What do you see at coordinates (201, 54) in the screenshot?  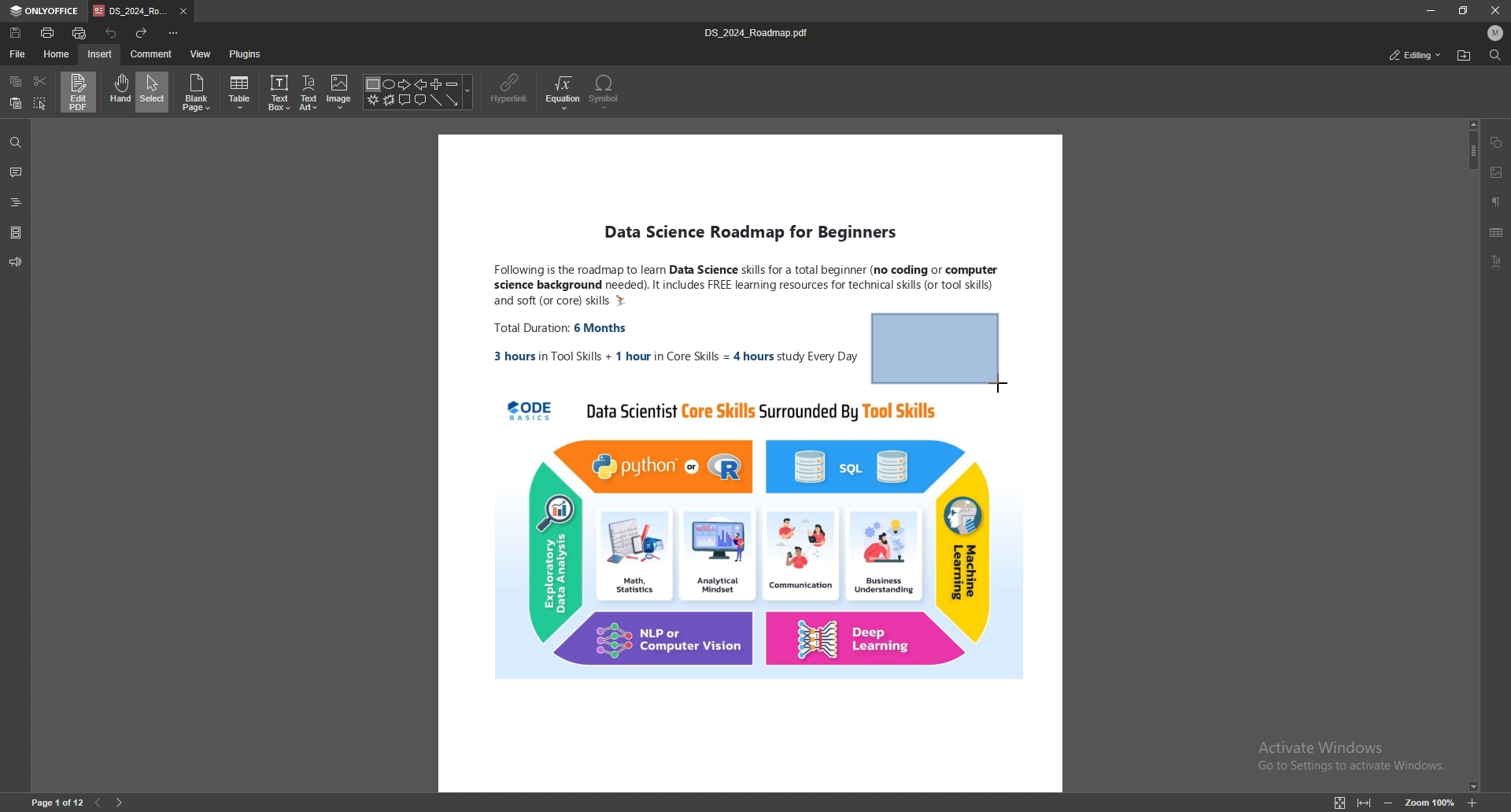 I see `view` at bounding box center [201, 54].